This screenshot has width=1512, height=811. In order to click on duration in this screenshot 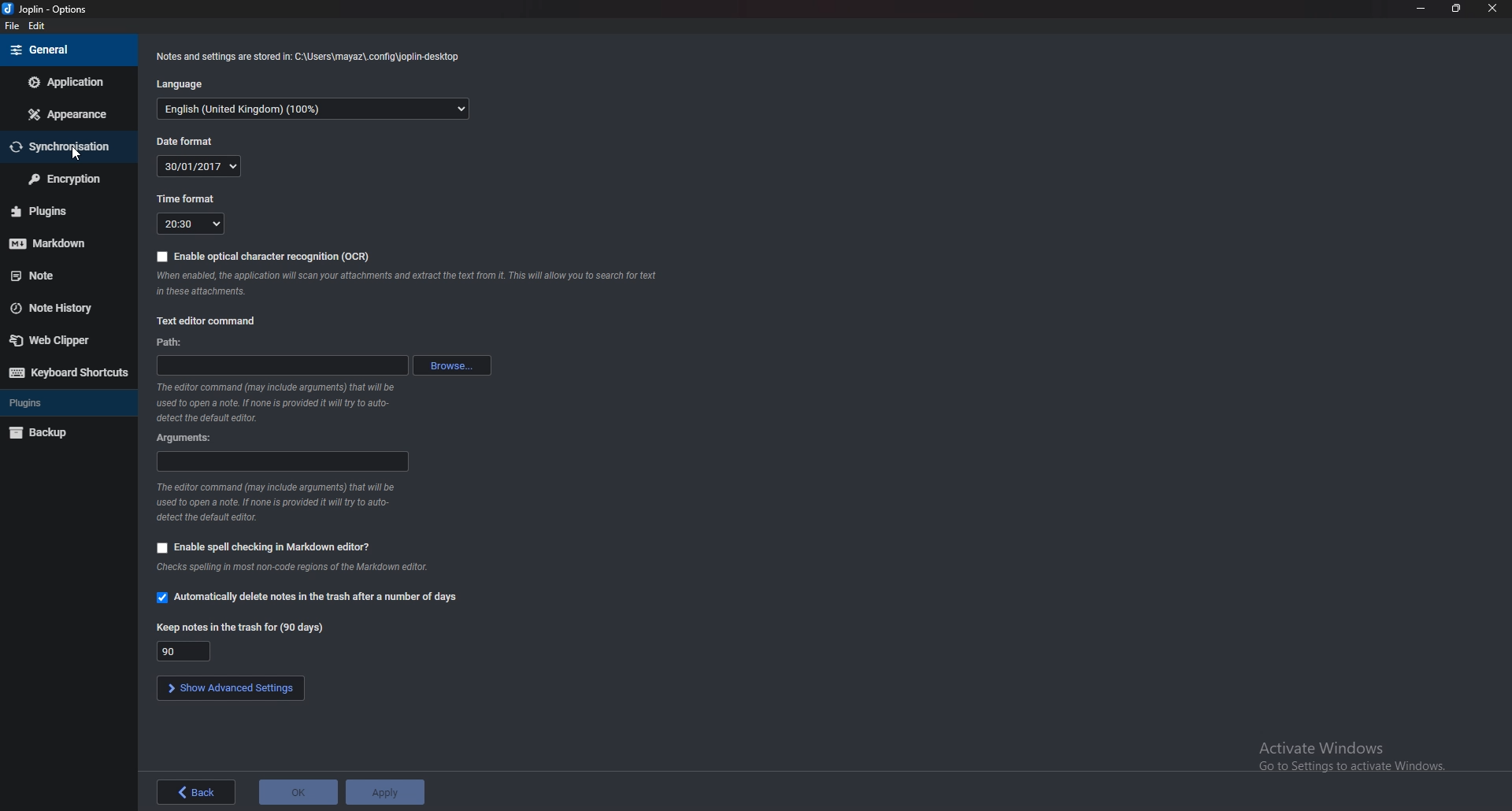, I will do `click(185, 650)`.